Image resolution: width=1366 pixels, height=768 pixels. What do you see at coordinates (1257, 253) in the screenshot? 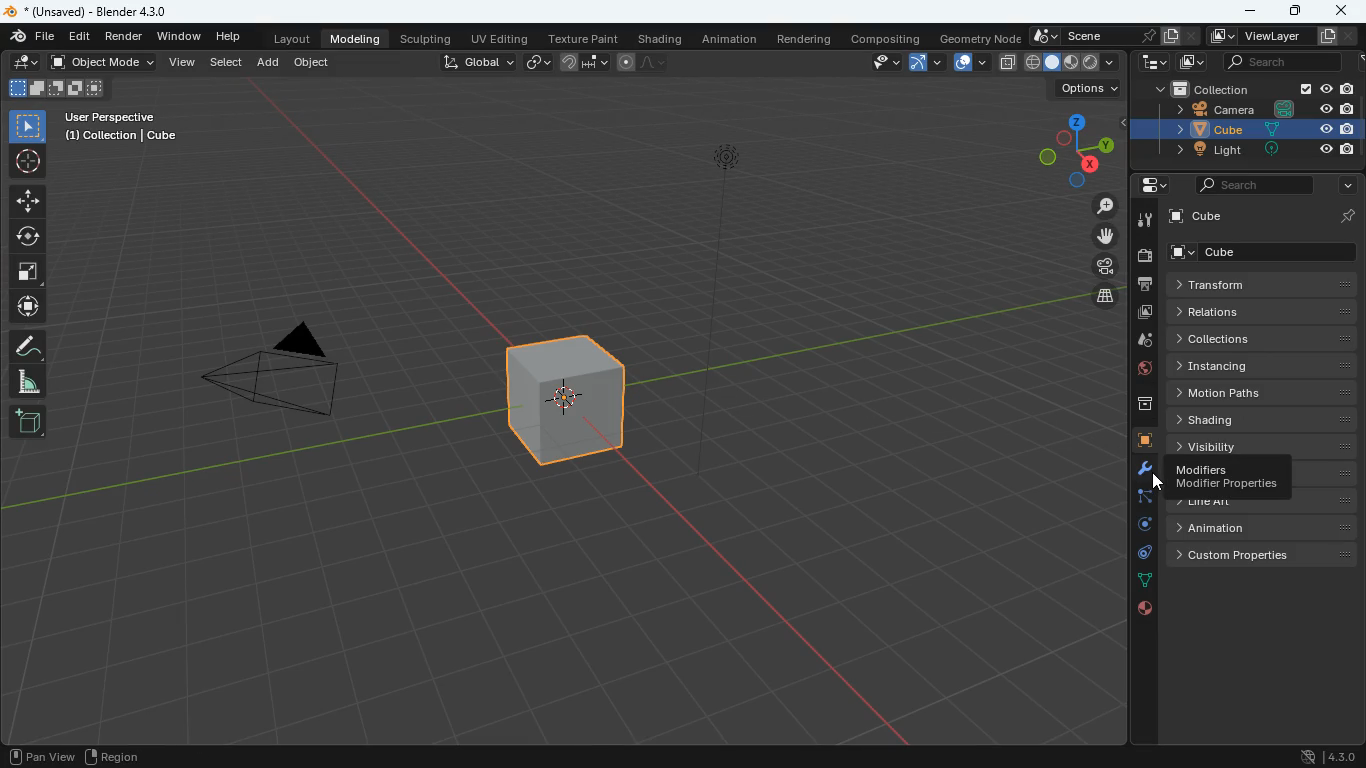
I see `cube` at bounding box center [1257, 253].